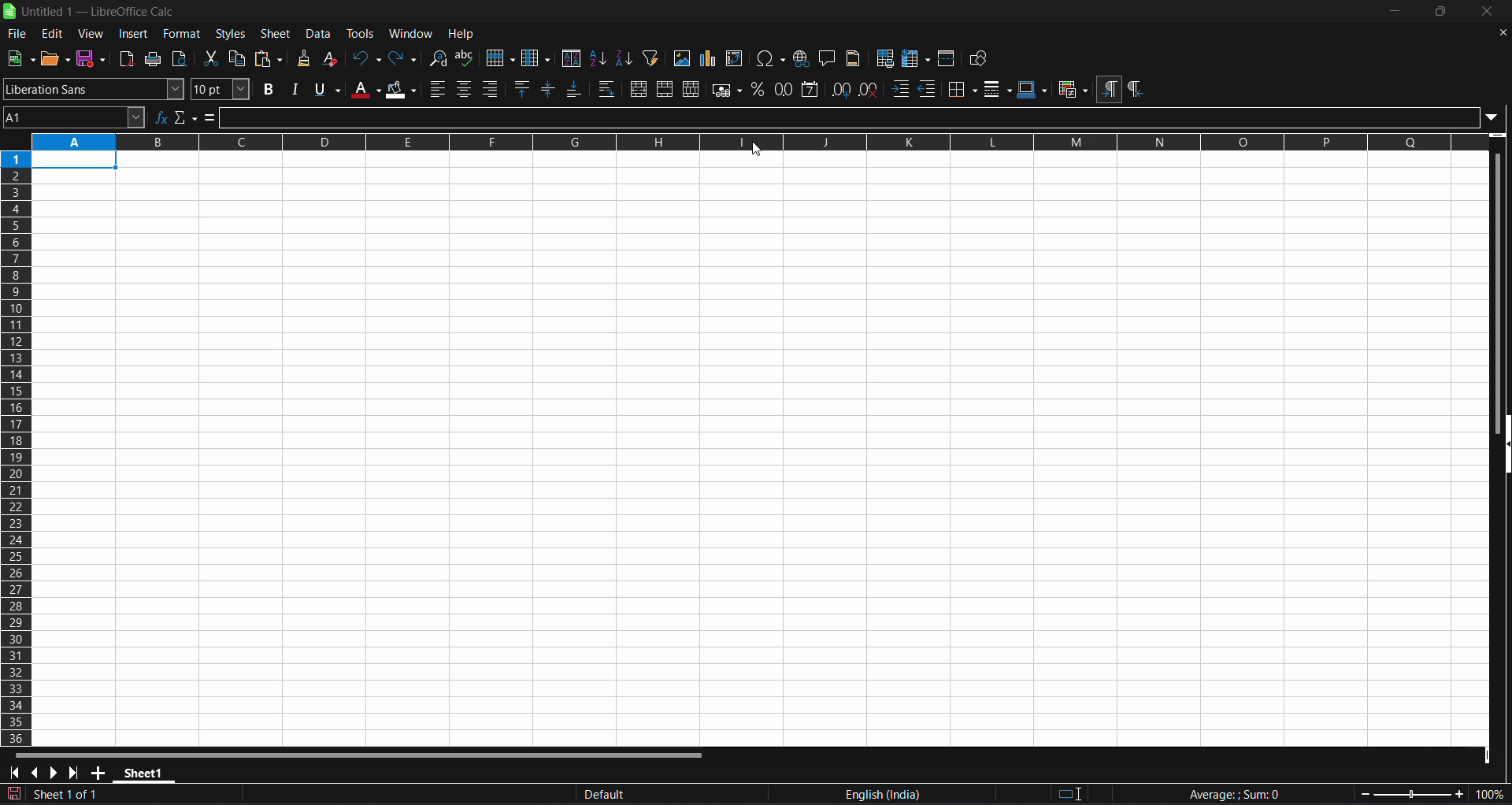 The image size is (1512, 805). I want to click on unmerge cells, so click(691, 90).